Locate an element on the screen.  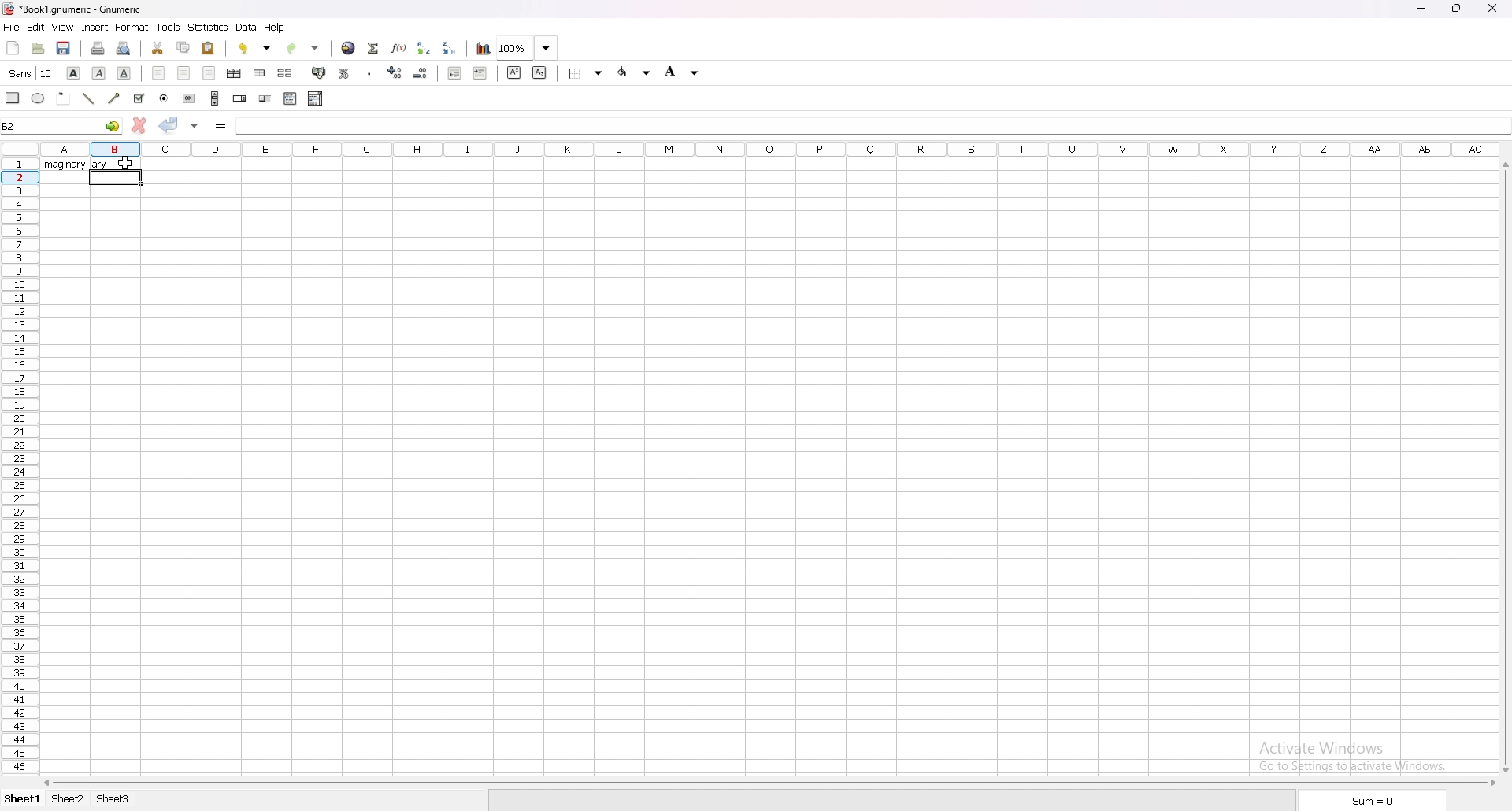
decrease decimals is located at coordinates (421, 72).